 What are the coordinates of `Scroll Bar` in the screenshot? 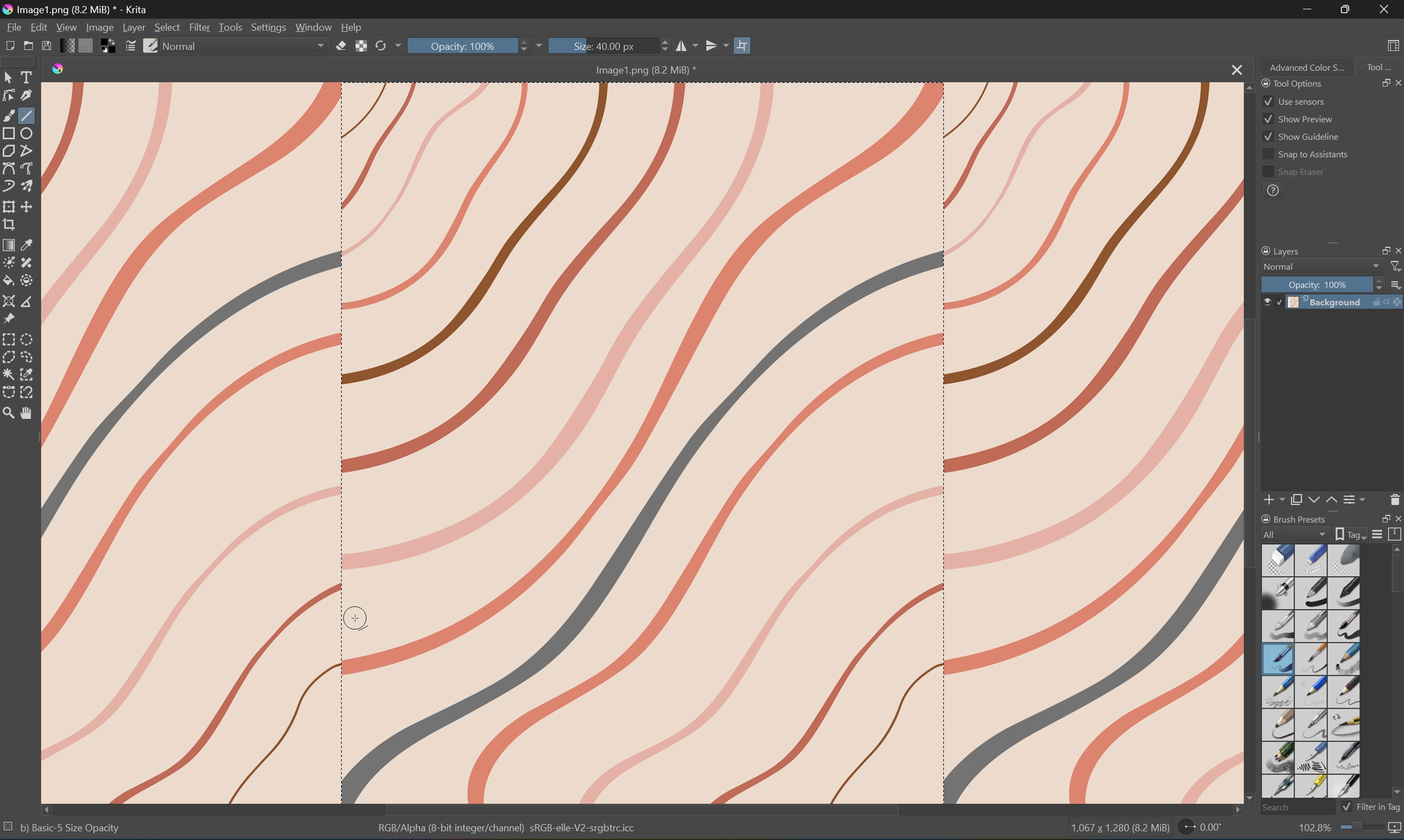 It's located at (1326, 233).